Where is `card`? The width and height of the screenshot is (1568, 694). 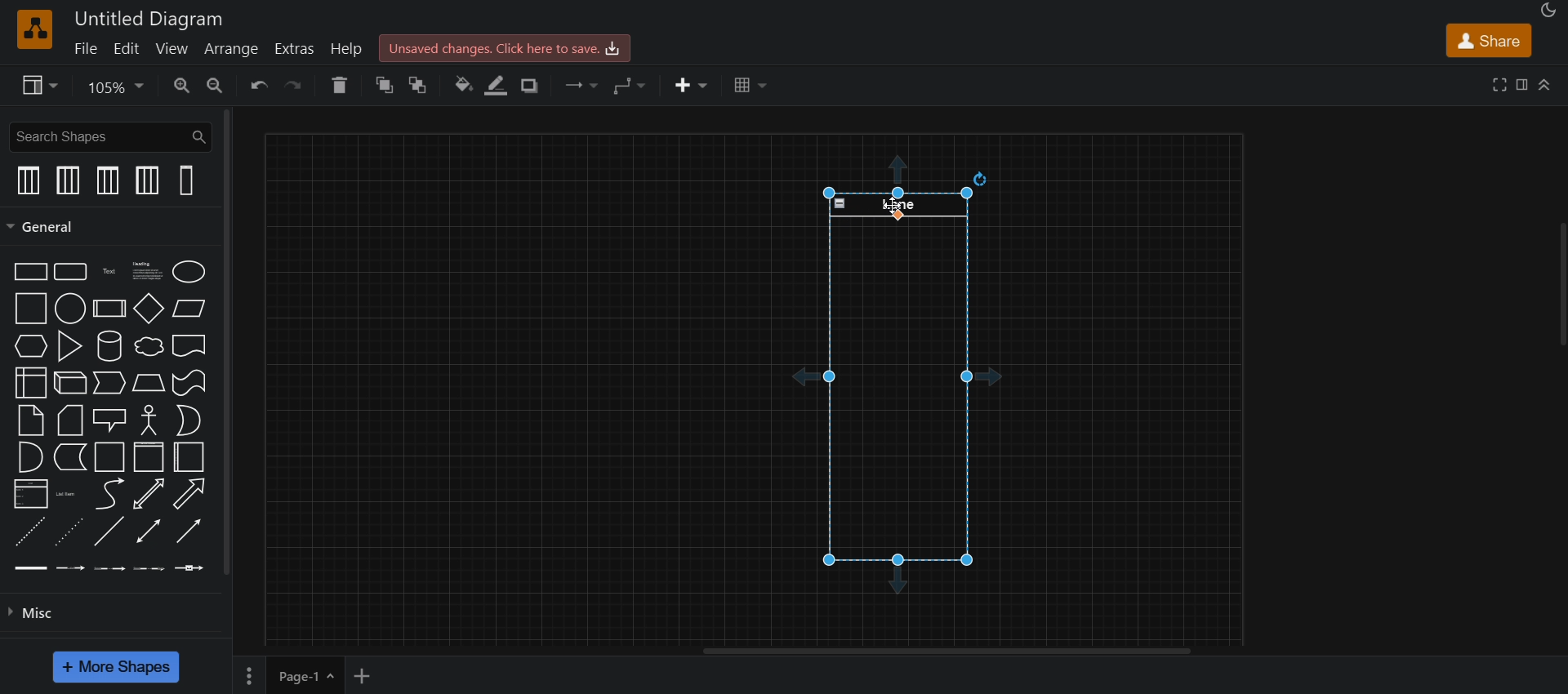
card is located at coordinates (69, 421).